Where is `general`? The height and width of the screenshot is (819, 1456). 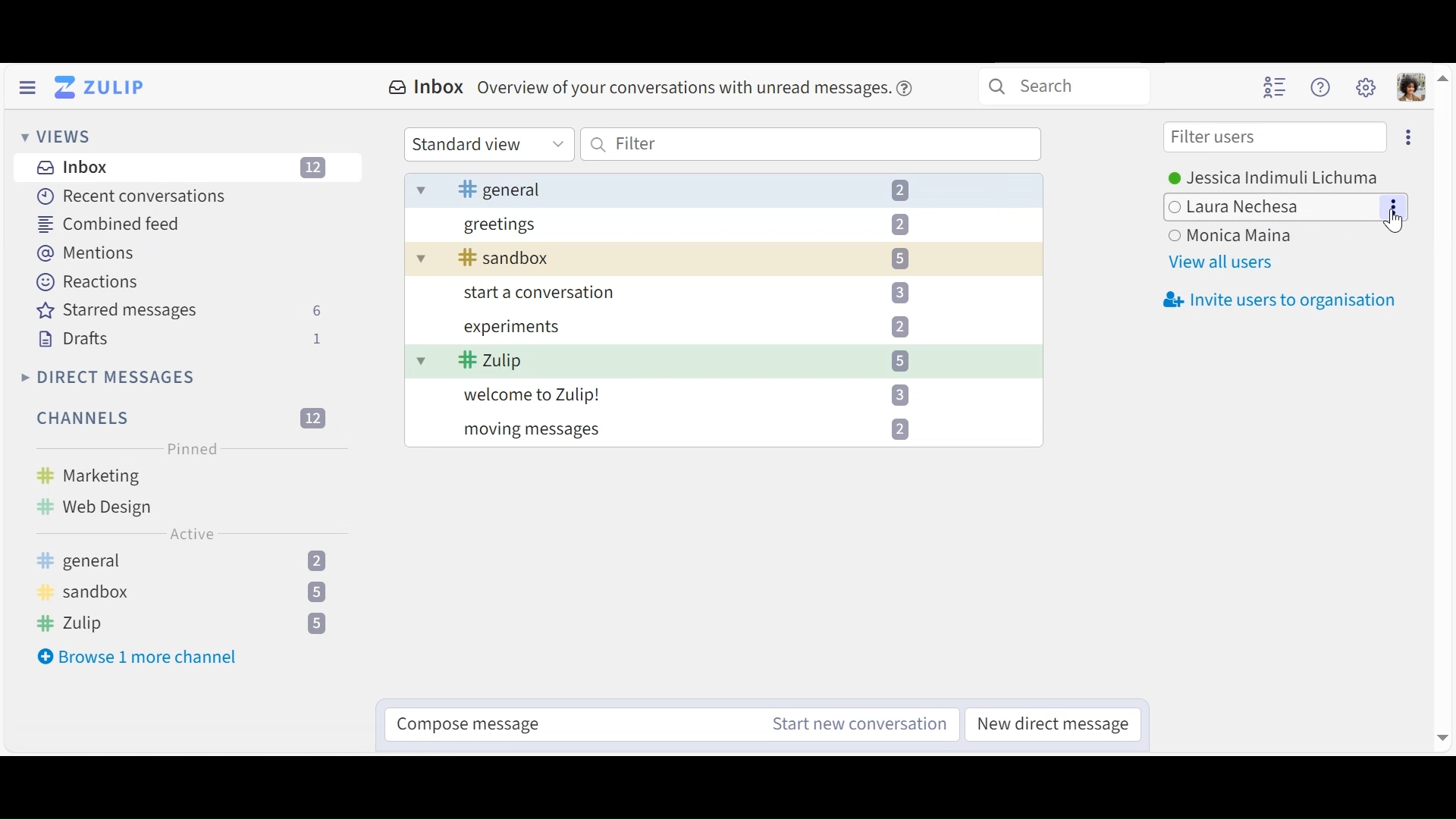 general is located at coordinates (662, 188).